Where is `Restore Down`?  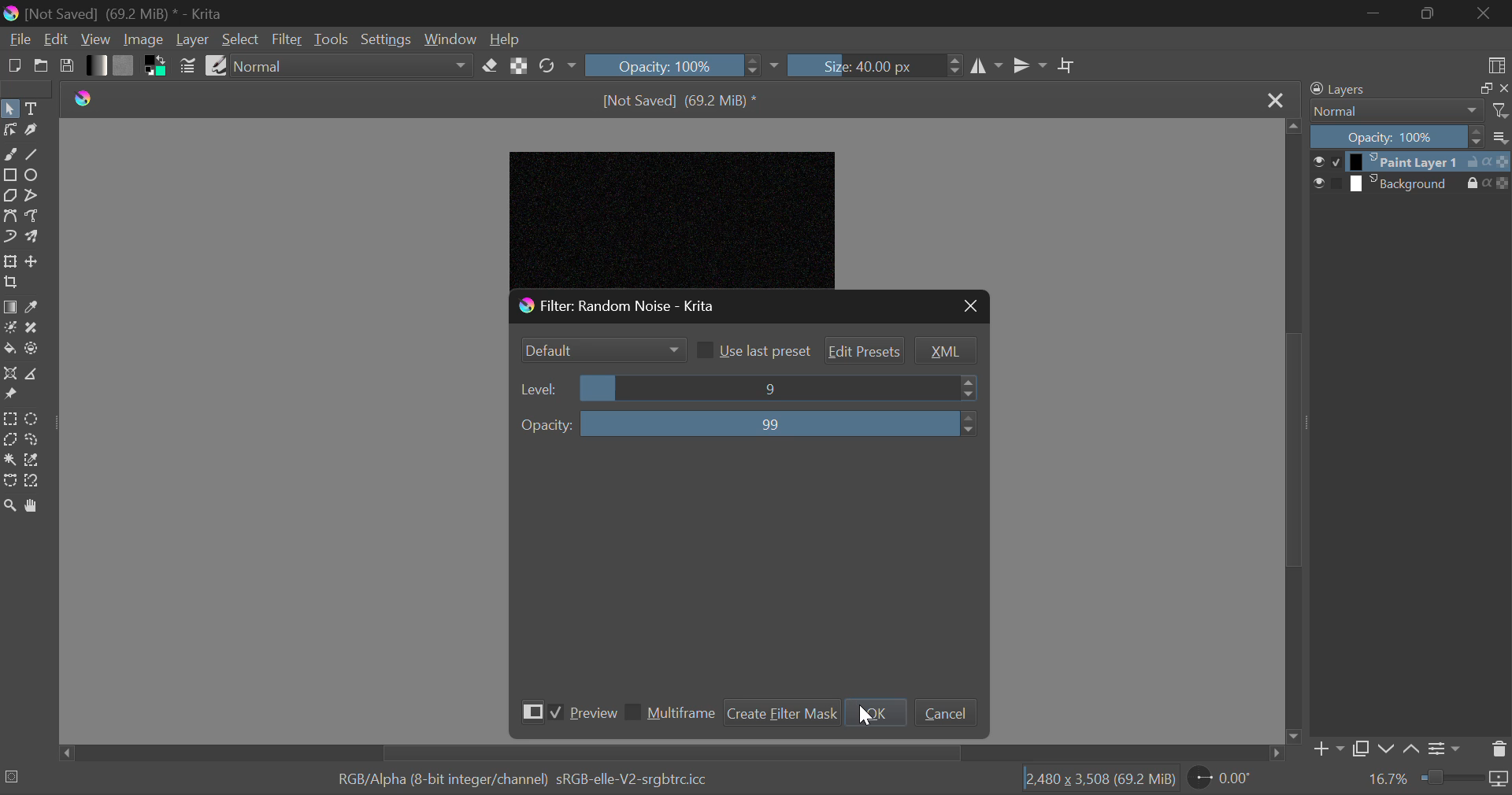
Restore Down is located at coordinates (1376, 13).